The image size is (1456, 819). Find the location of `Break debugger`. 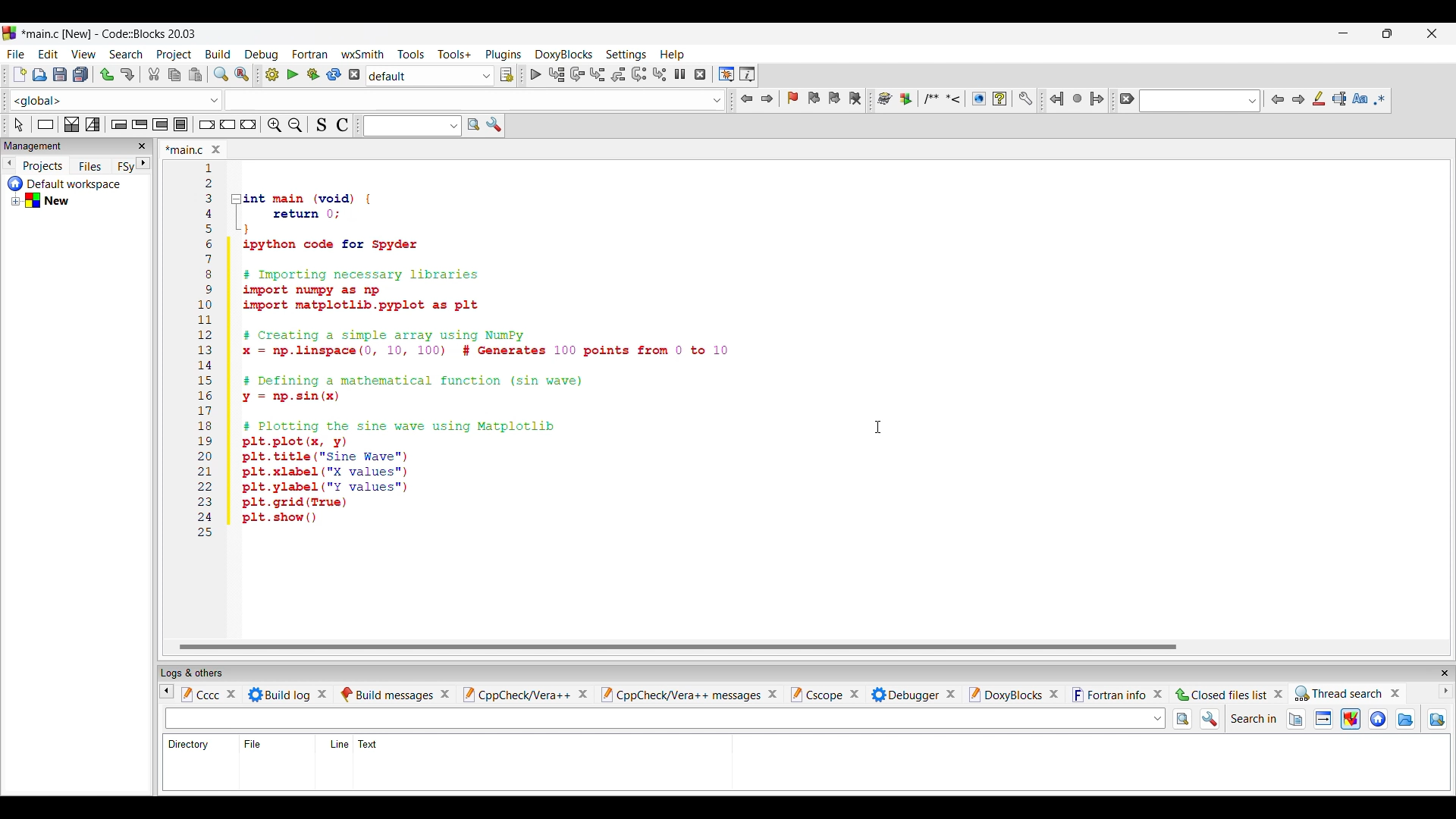

Break debugger is located at coordinates (679, 73).